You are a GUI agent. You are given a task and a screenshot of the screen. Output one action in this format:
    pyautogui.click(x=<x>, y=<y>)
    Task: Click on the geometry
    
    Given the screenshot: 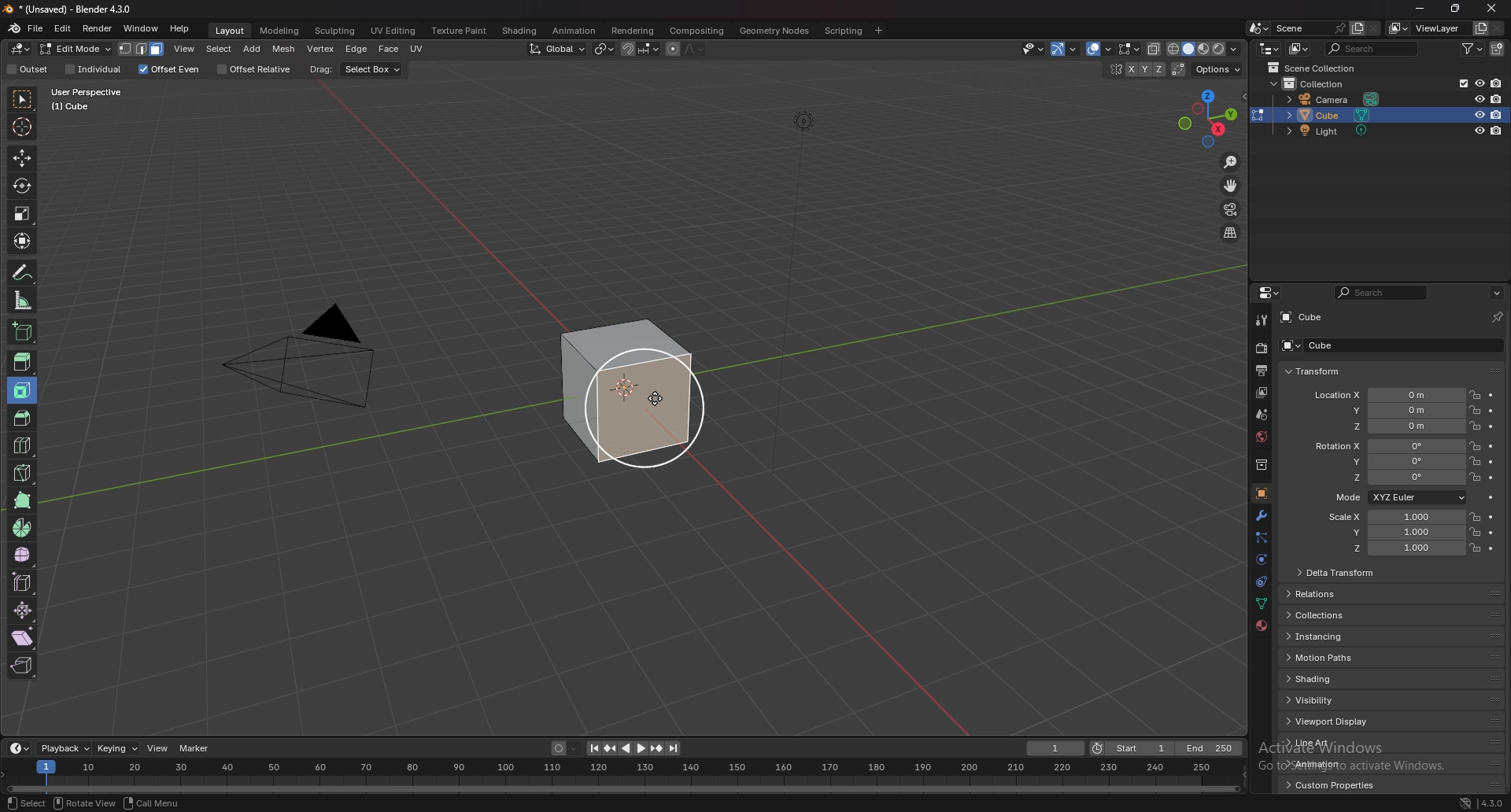 What is the action you would take?
    pyautogui.click(x=776, y=31)
    